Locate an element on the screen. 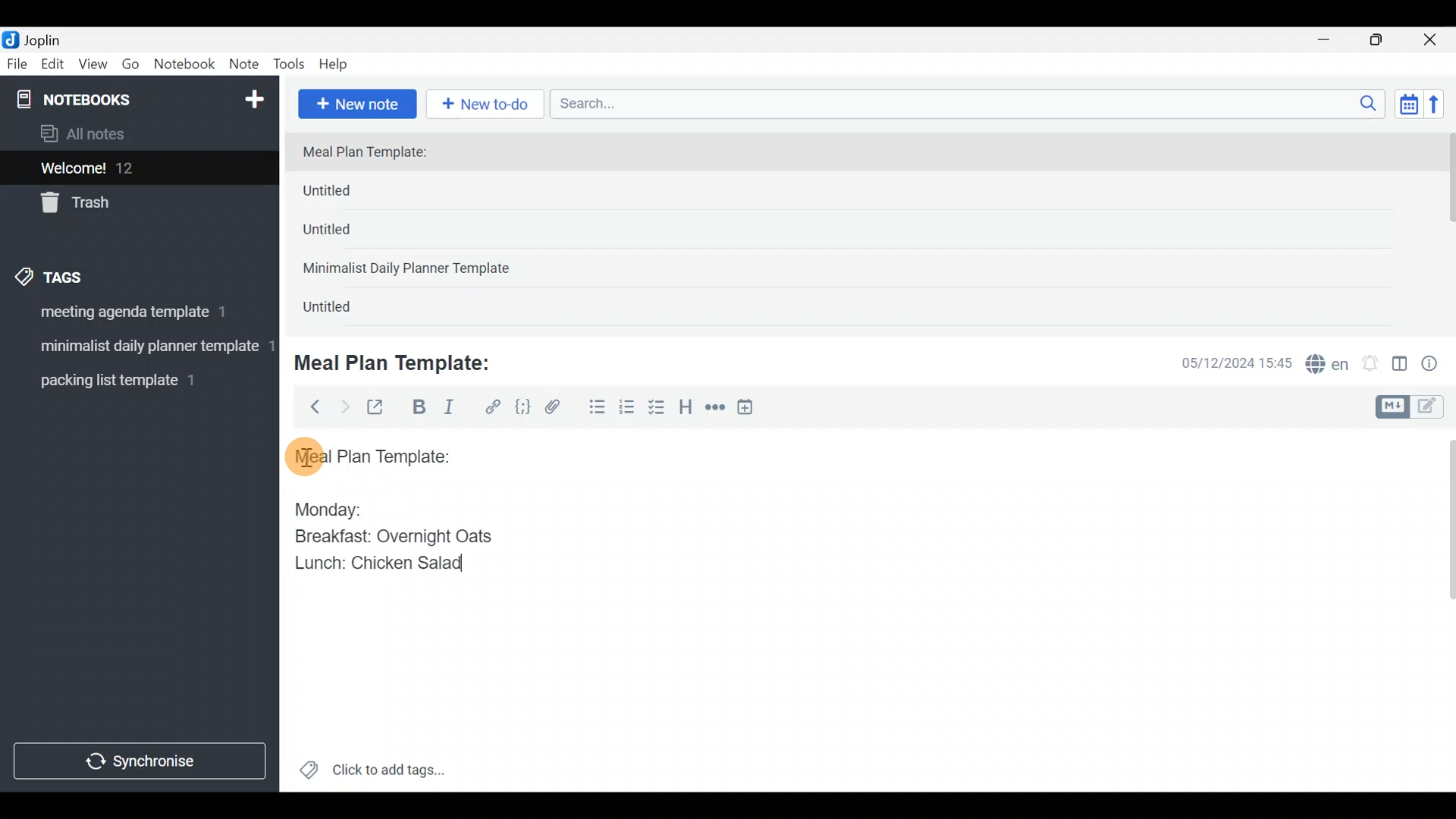  Toggle editor layout is located at coordinates (1401, 366).